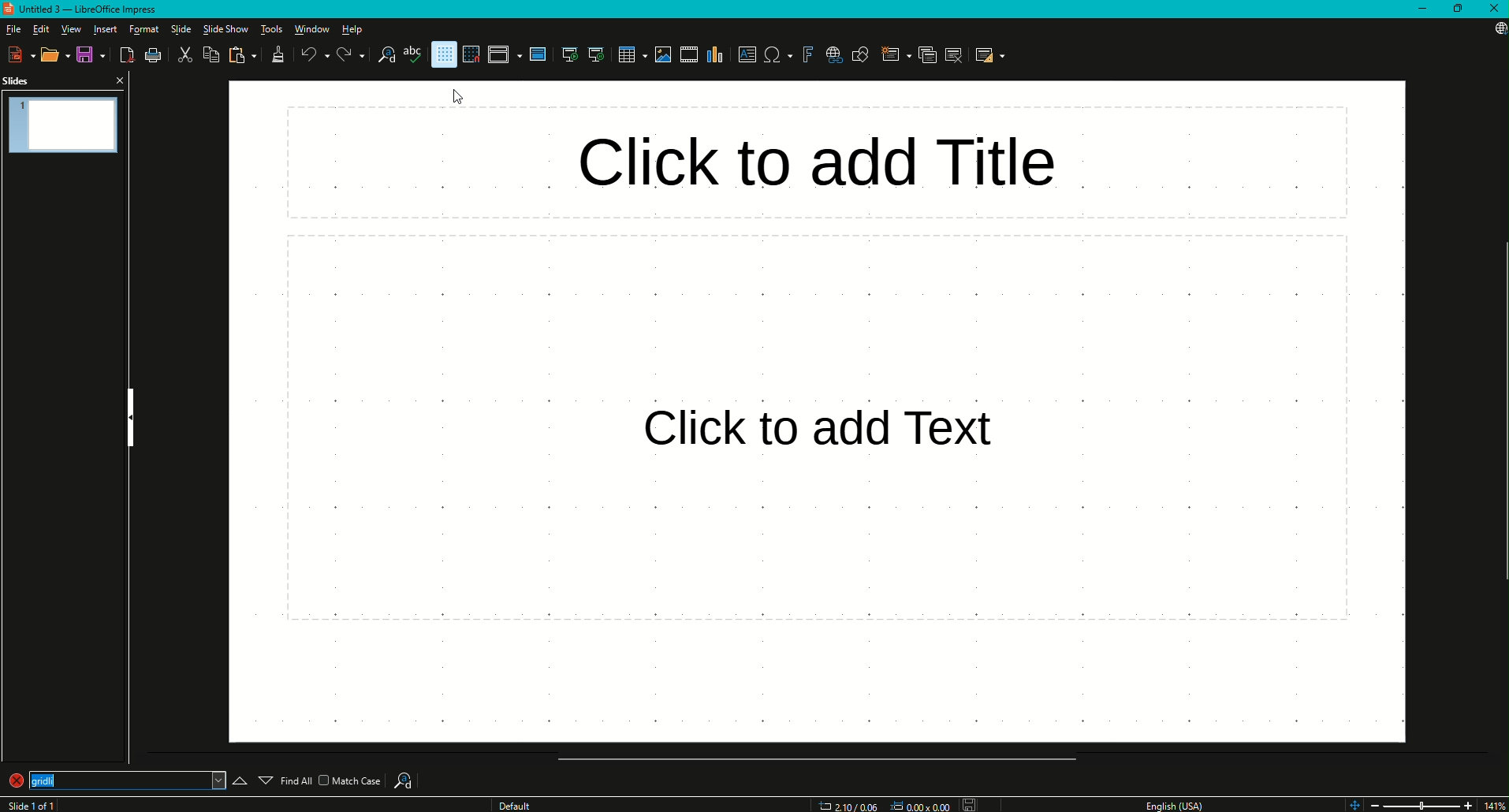 Image resolution: width=1509 pixels, height=812 pixels. What do you see at coordinates (235, 776) in the screenshot?
I see `Up` at bounding box center [235, 776].